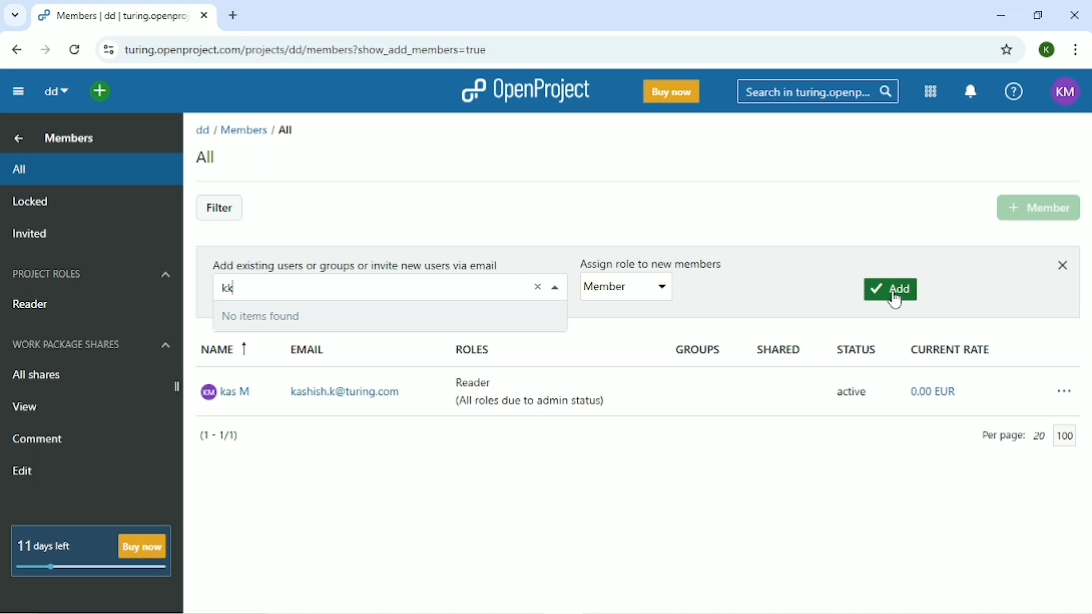  I want to click on Current tab, so click(123, 15).